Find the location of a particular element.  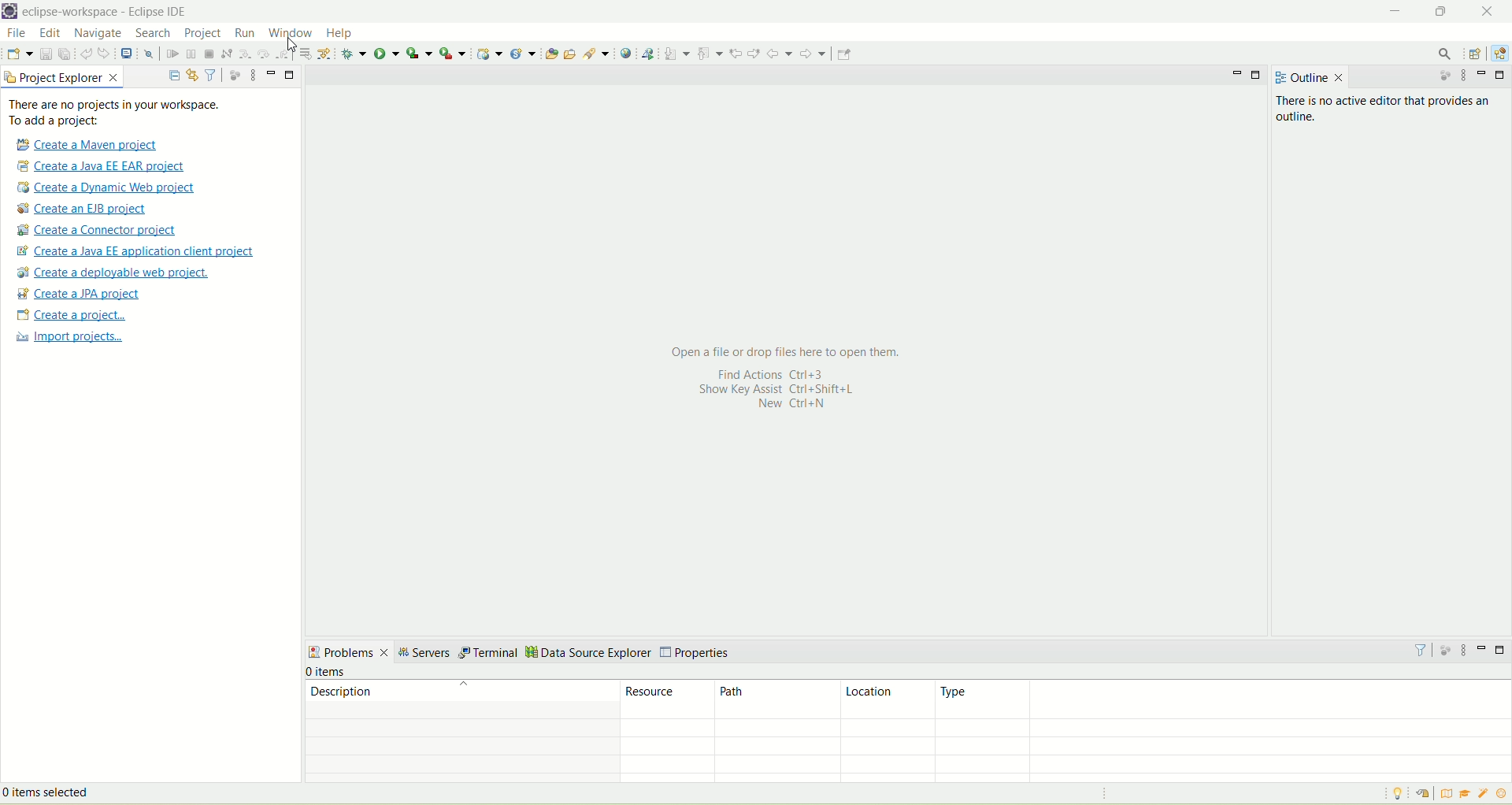

Create a Java EE application client proje t is located at coordinates (139, 251).